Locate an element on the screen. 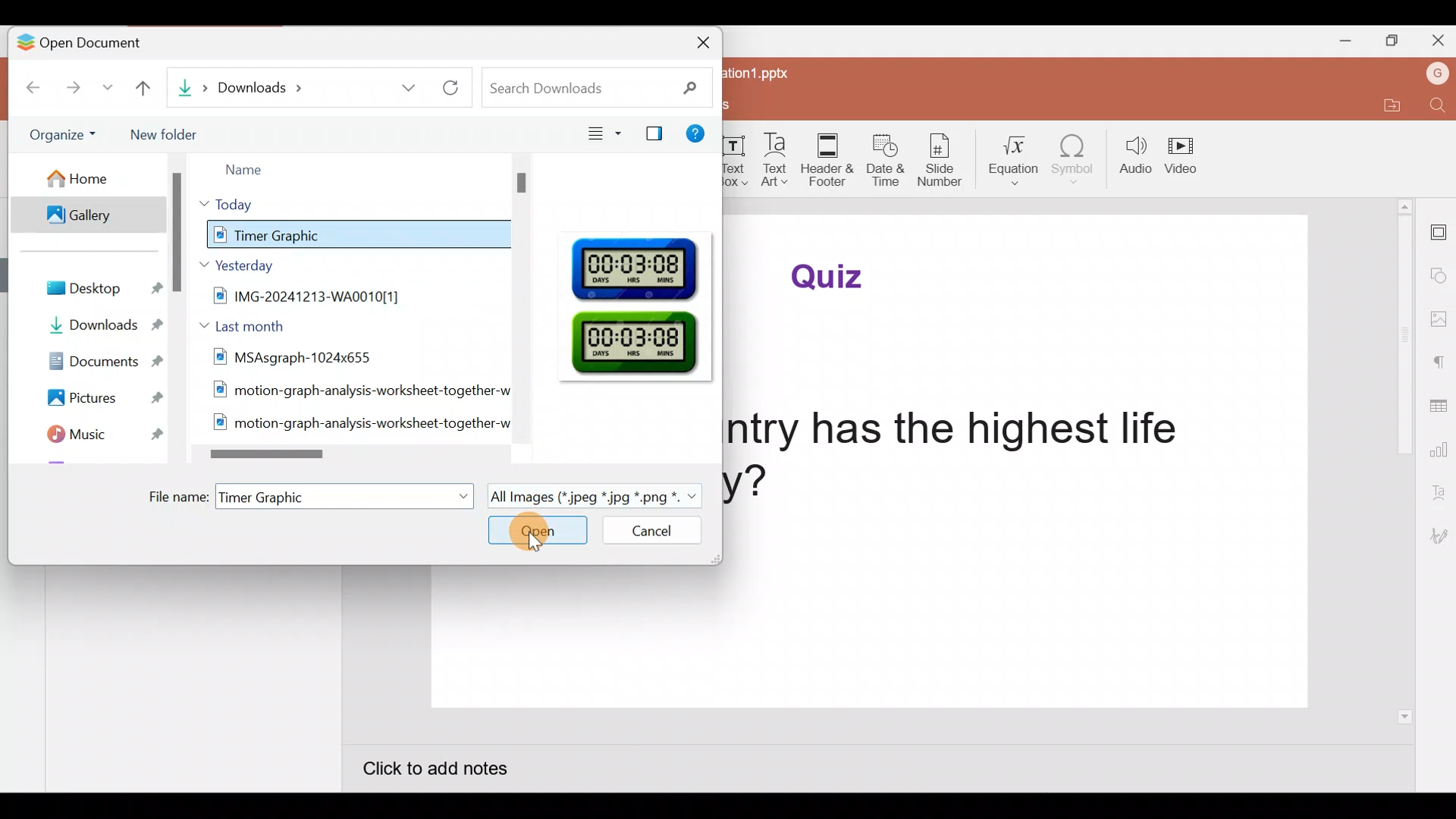 This screenshot has height=819, width=1456. Chart settings is located at coordinates (1439, 450).